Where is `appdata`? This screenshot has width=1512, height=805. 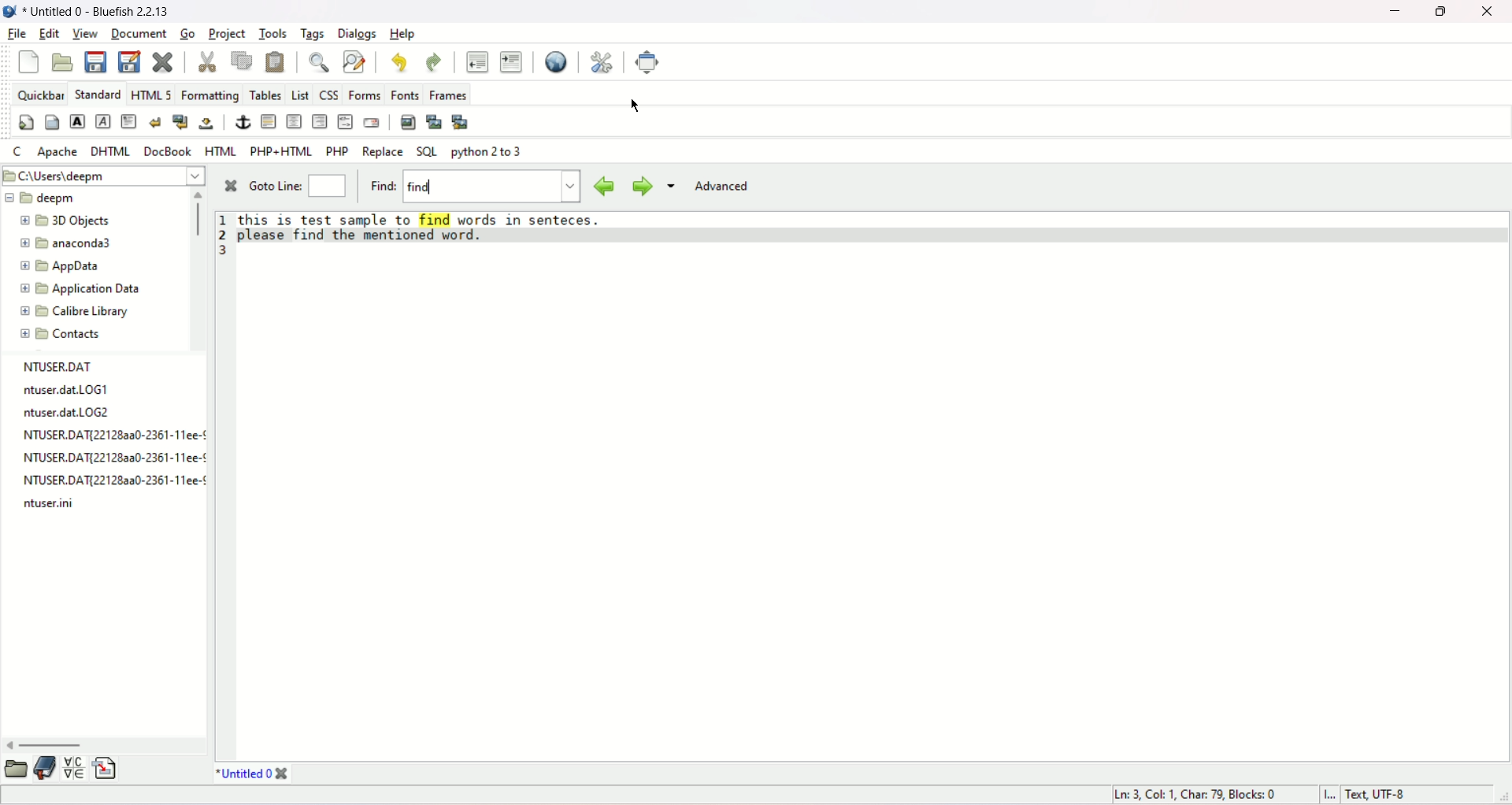 appdata is located at coordinates (64, 267).